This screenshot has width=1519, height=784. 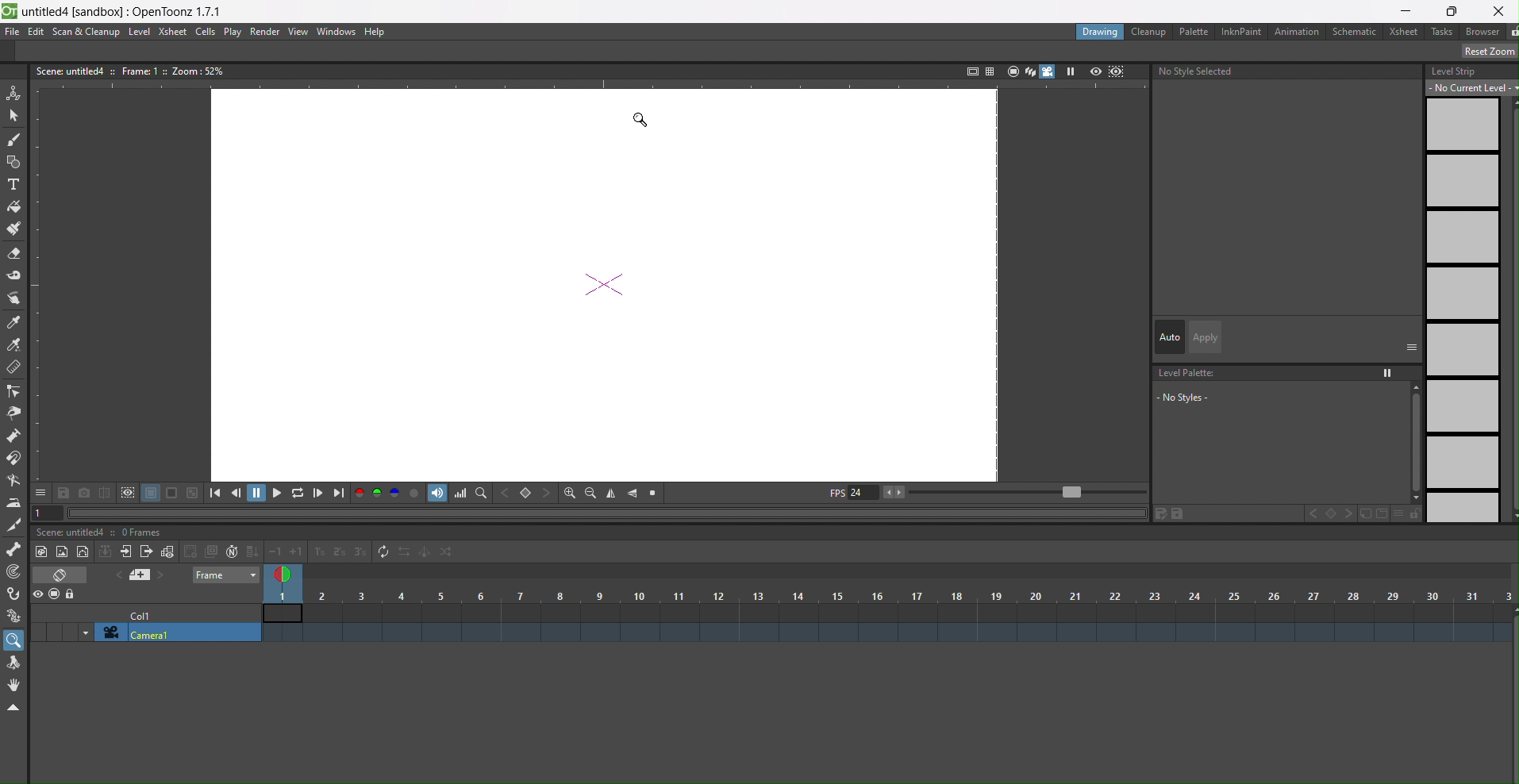 What do you see at coordinates (852, 496) in the screenshot?
I see `fps display` at bounding box center [852, 496].